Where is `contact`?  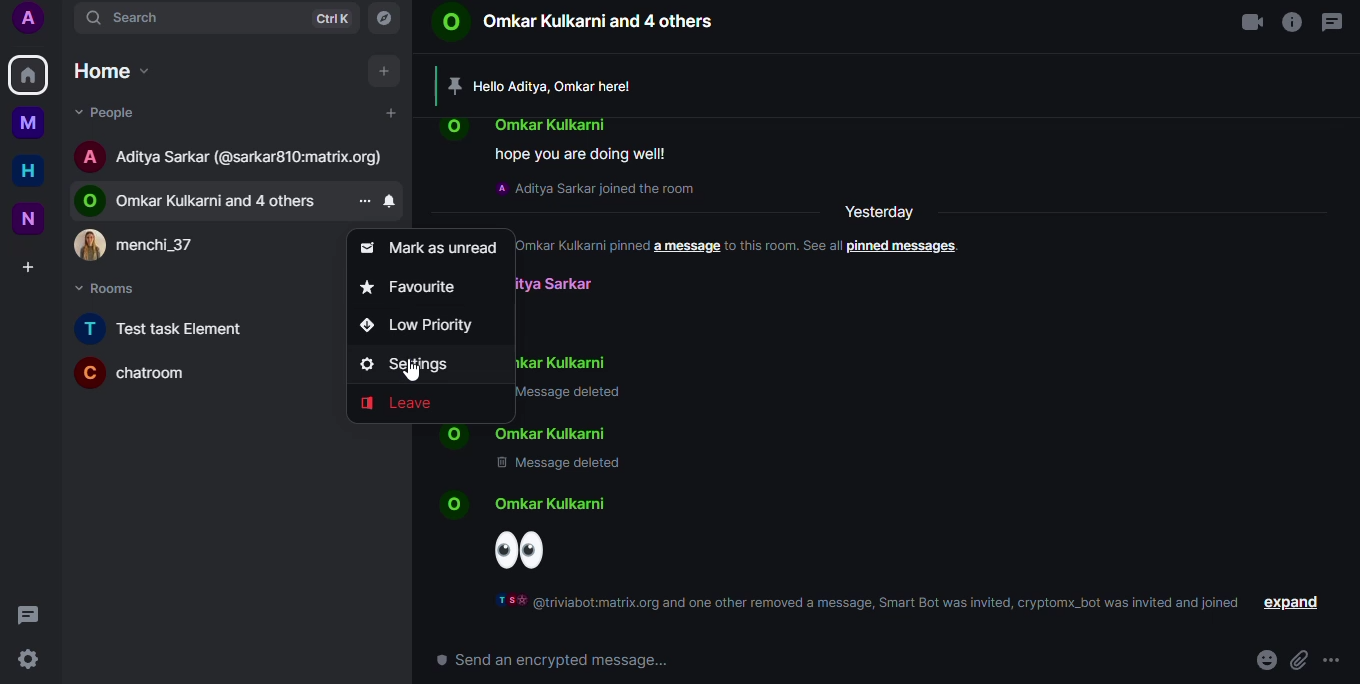 contact is located at coordinates (526, 435).